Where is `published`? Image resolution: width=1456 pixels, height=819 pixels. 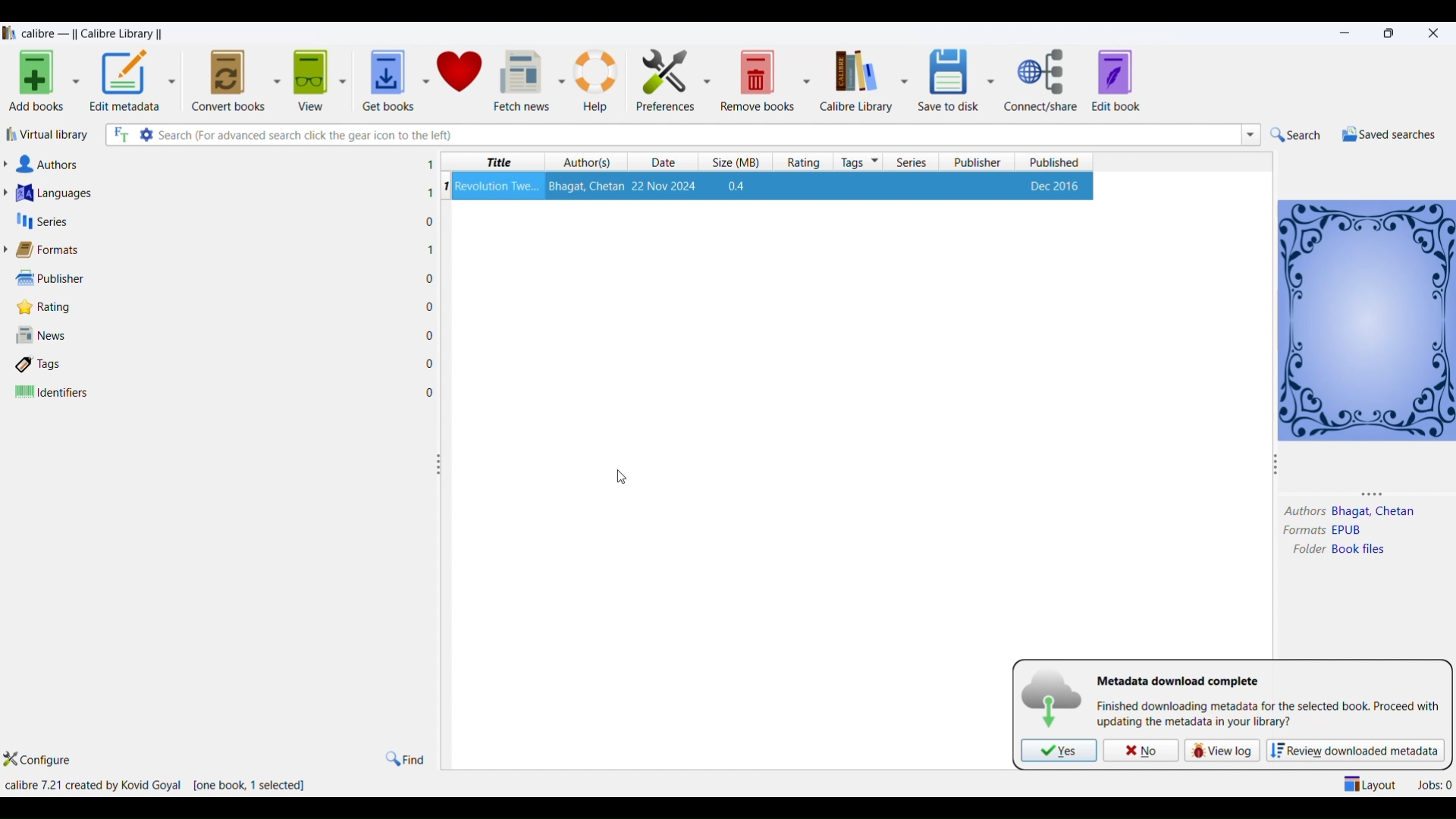 published is located at coordinates (1055, 162).